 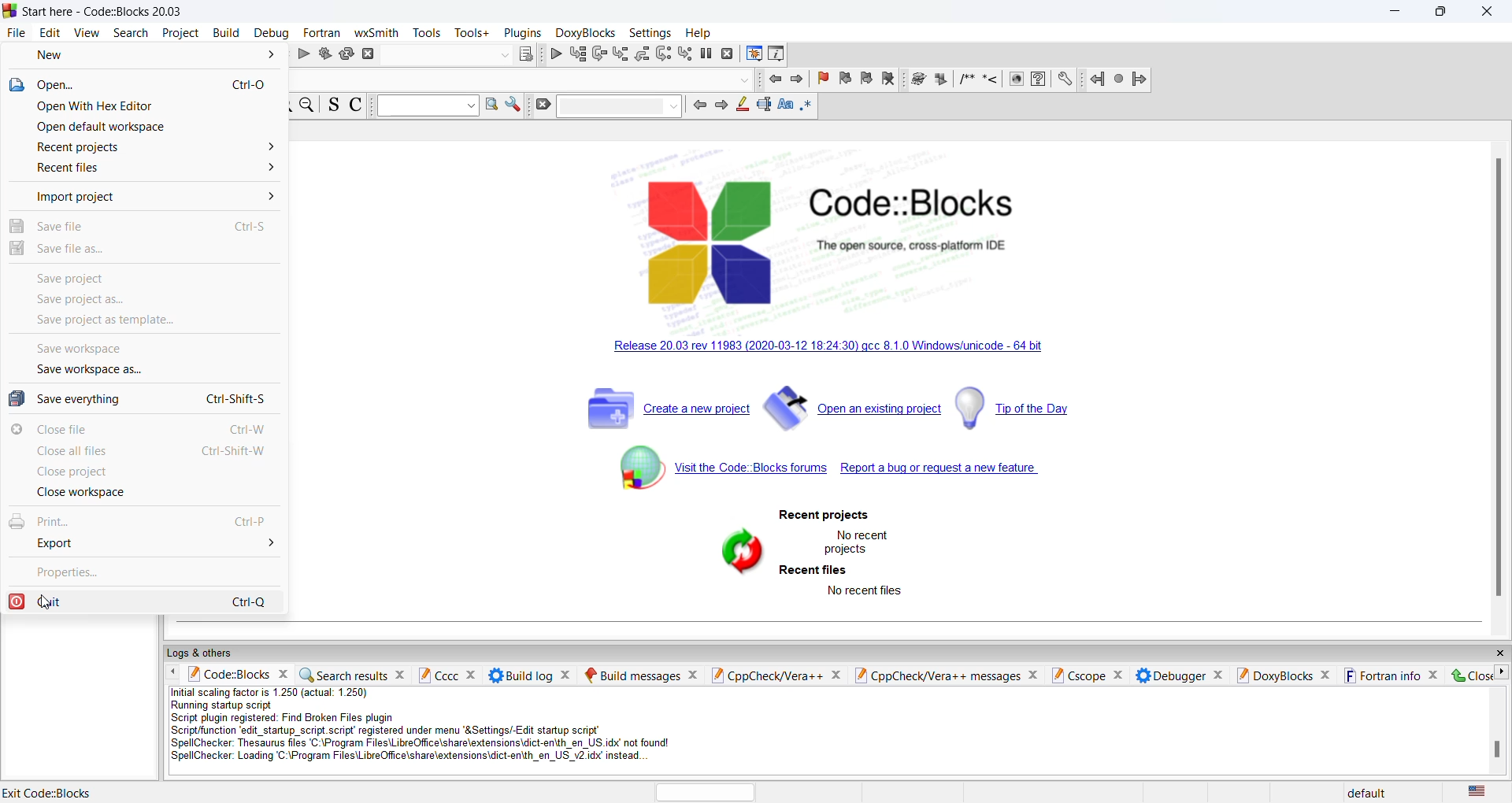 What do you see at coordinates (309, 106) in the screenshot?
I see `zoom out` at bounding box center [309, 106].